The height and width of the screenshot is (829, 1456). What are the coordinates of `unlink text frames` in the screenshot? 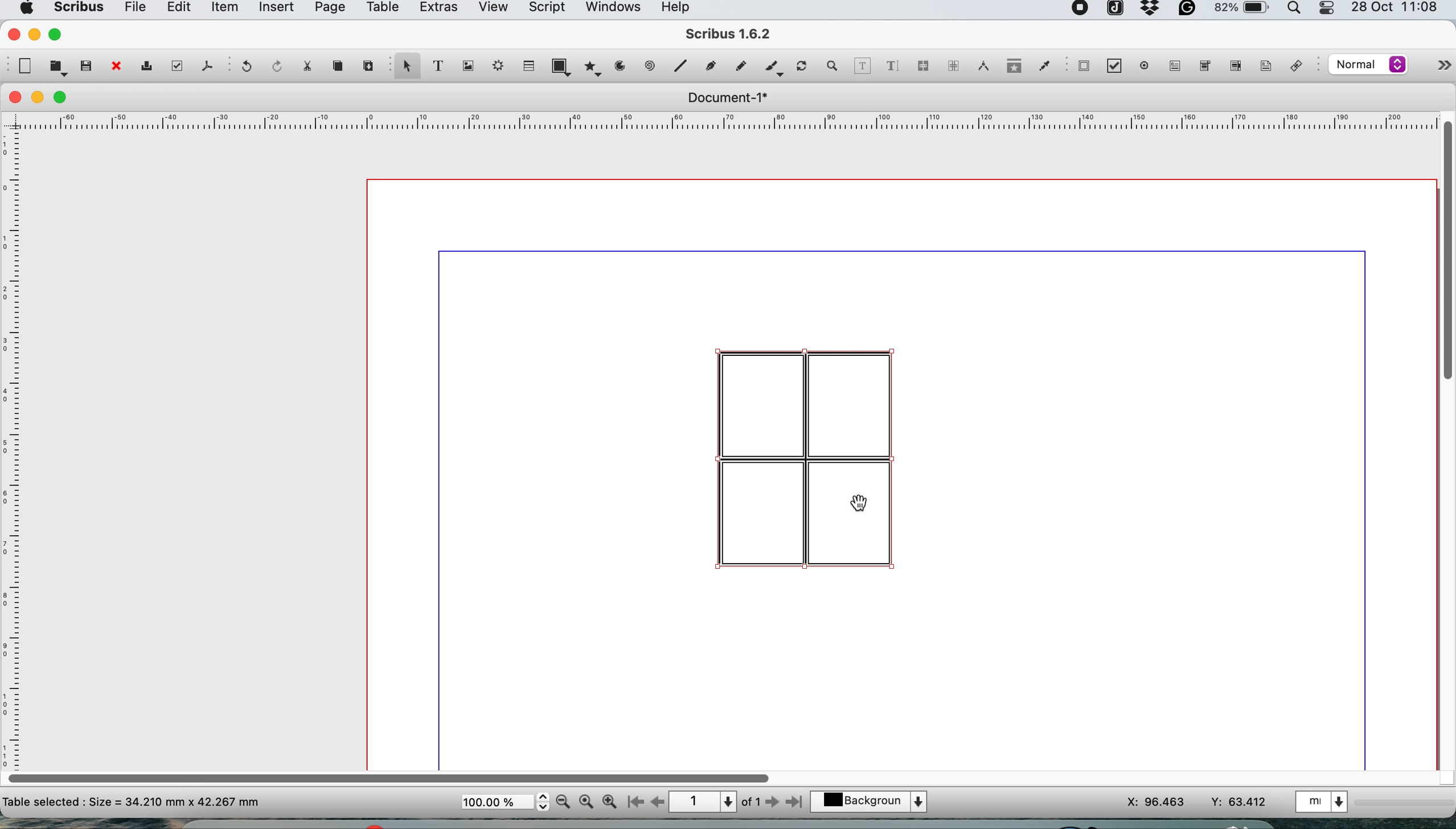 It's located at (953, 69).